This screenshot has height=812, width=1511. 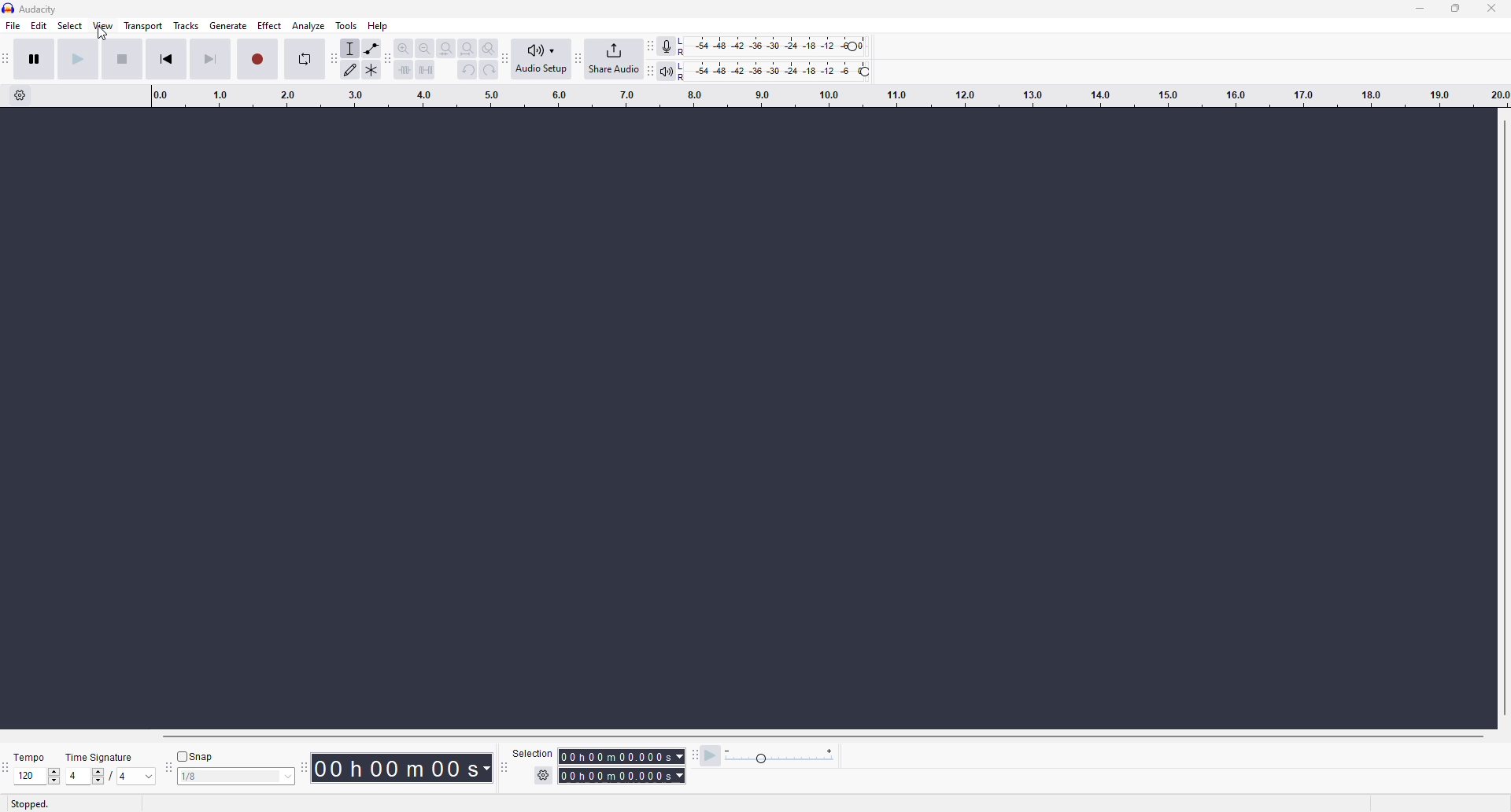 What do you see at coordinates (540, 776) in the screenshot?
I see `setting` at bounding box center [540, 776].